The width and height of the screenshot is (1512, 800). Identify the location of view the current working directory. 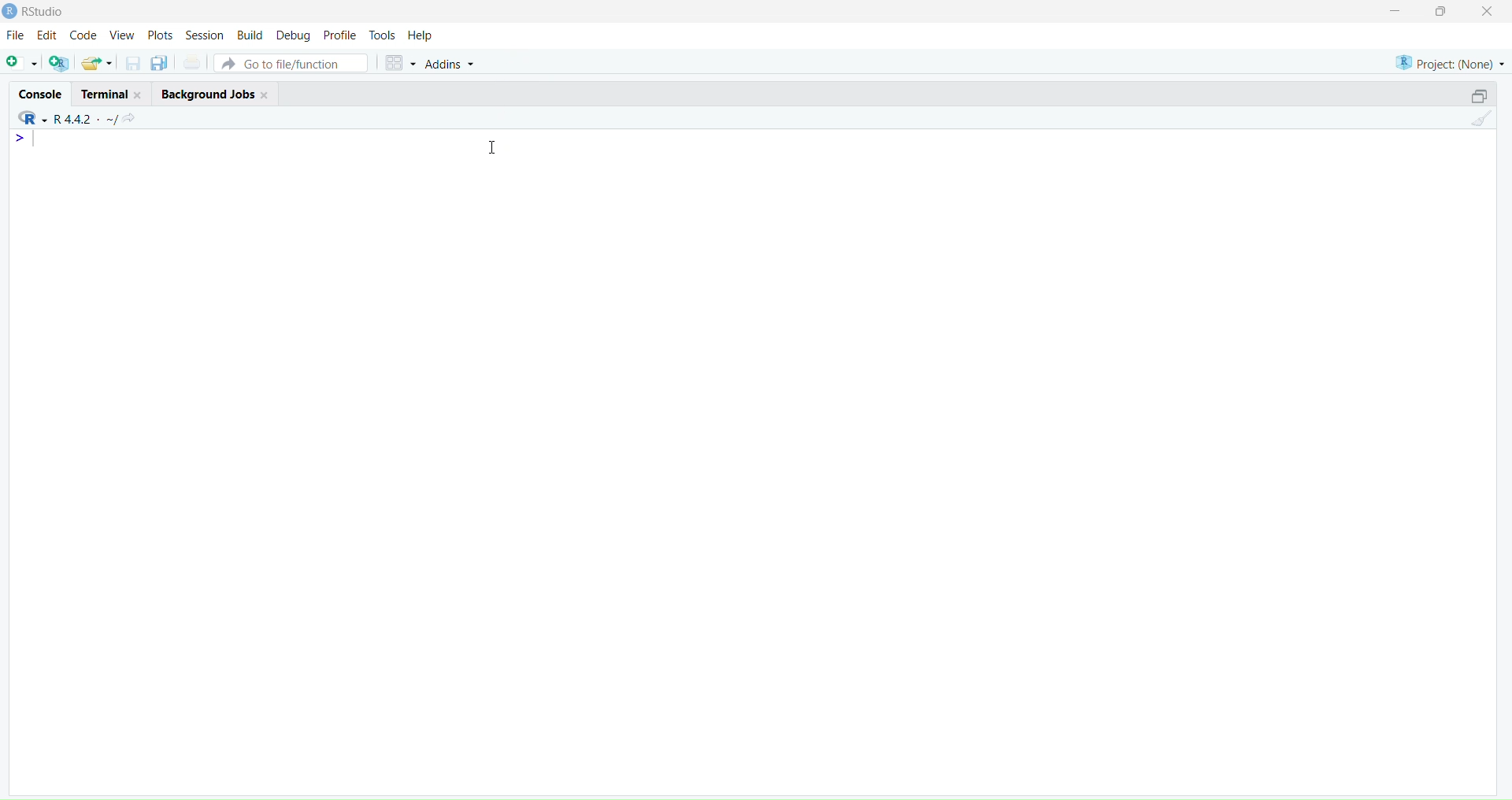
(130, 120).